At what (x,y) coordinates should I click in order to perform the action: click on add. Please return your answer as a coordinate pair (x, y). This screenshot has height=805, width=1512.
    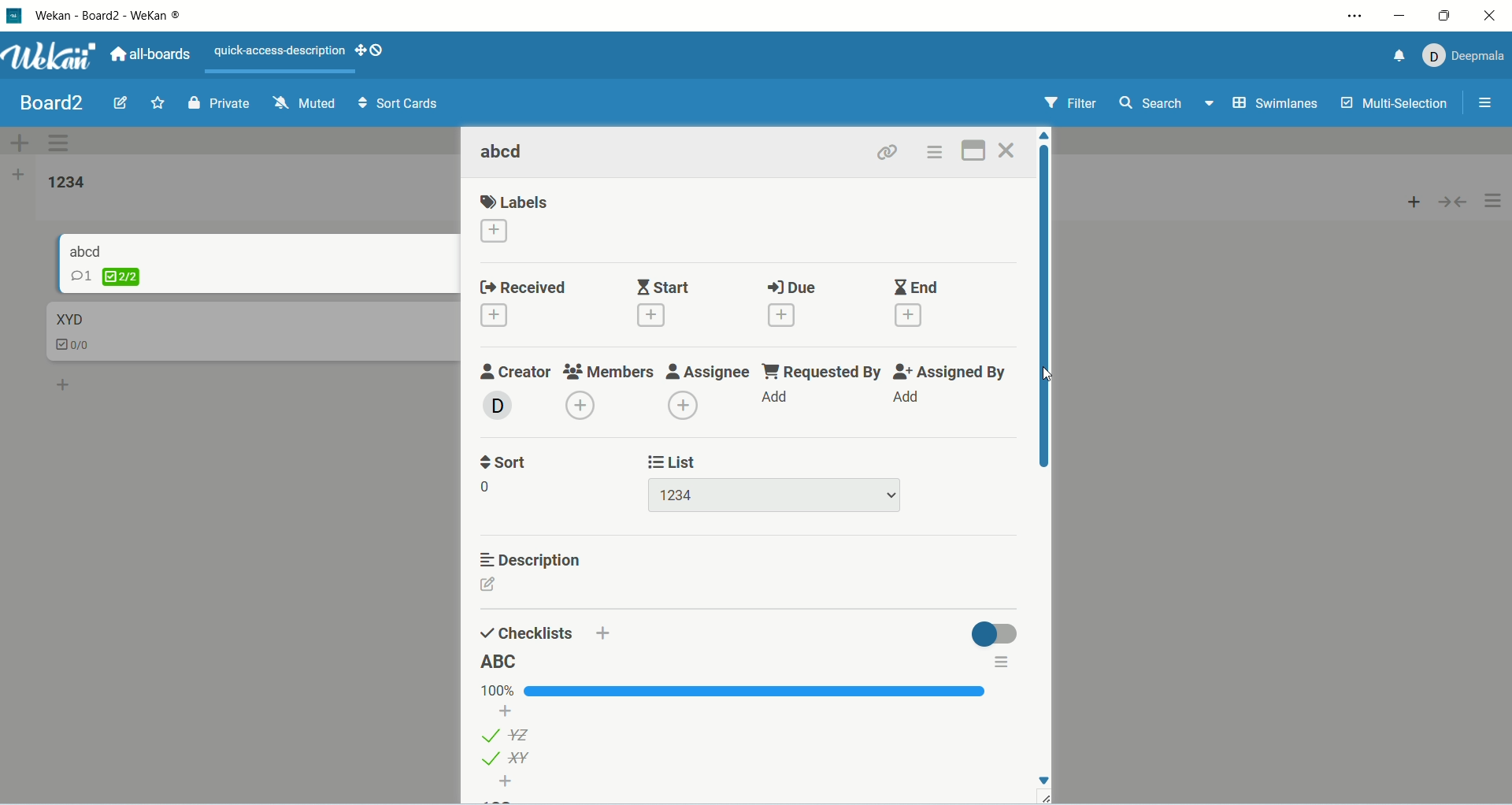
    Looking at the image, I should click on (493, 232).